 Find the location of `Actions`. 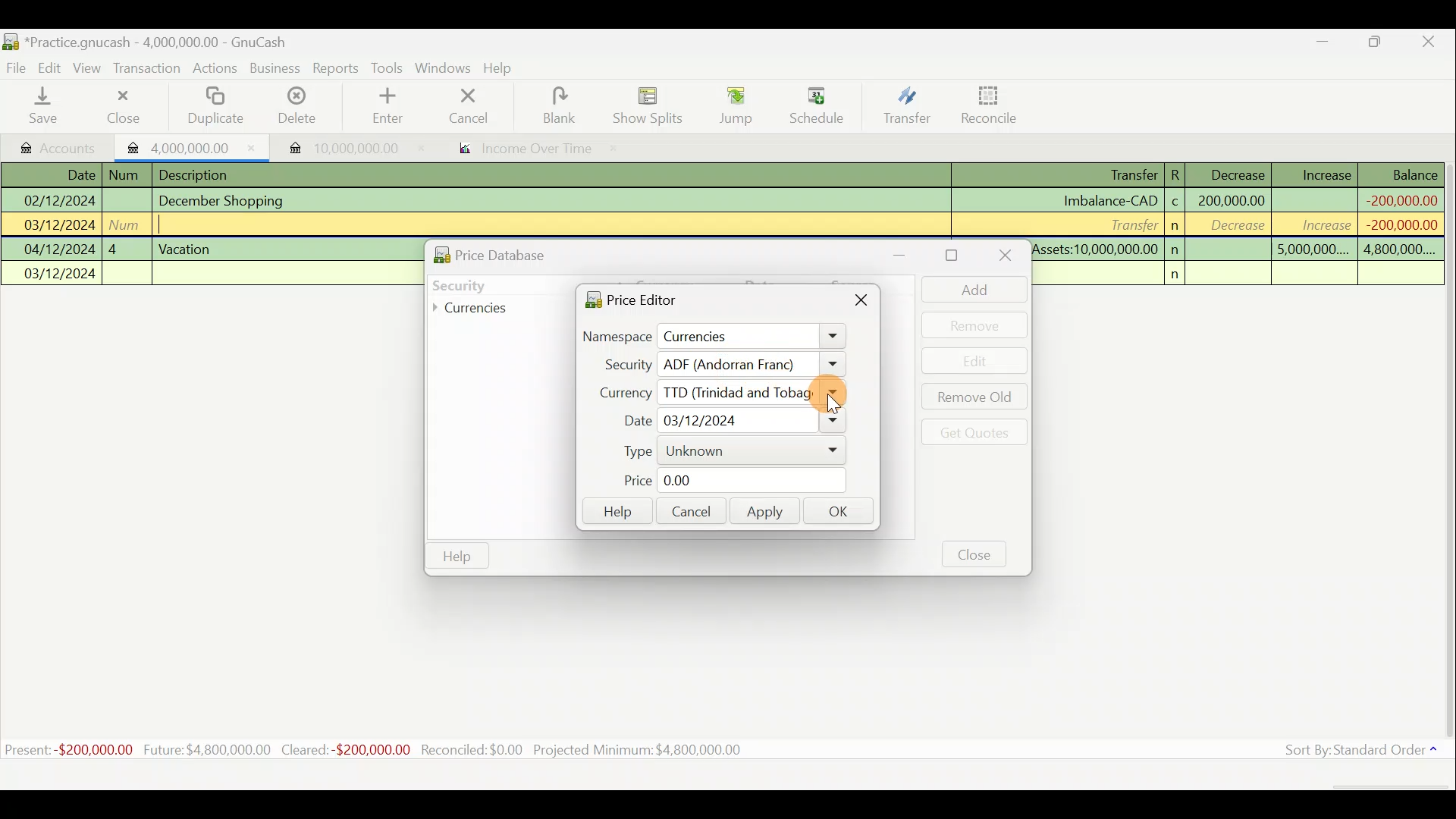

Actions is located at coordinates (217, 69).